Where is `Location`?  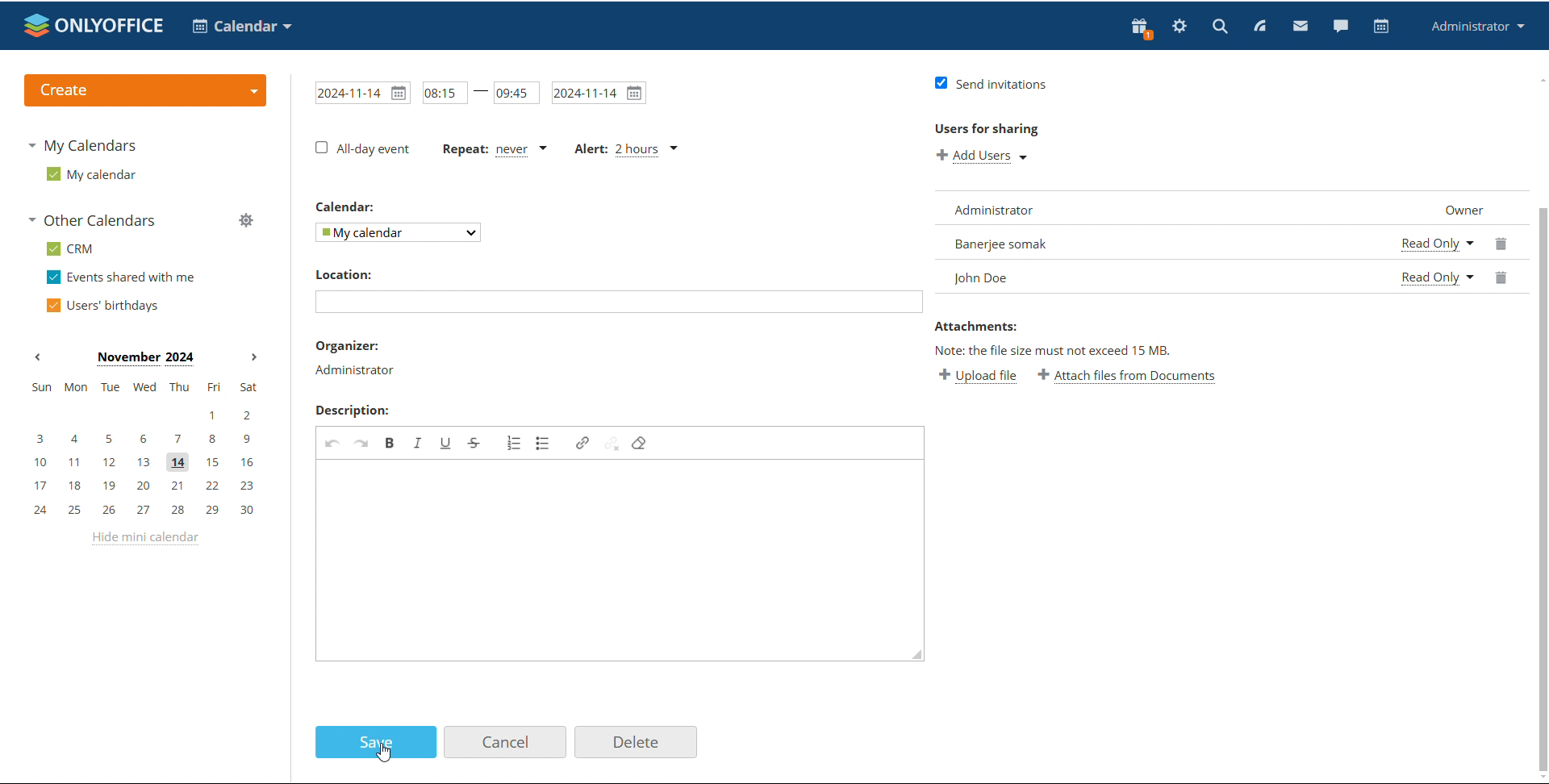
Location is located at coordinates (348, 273).